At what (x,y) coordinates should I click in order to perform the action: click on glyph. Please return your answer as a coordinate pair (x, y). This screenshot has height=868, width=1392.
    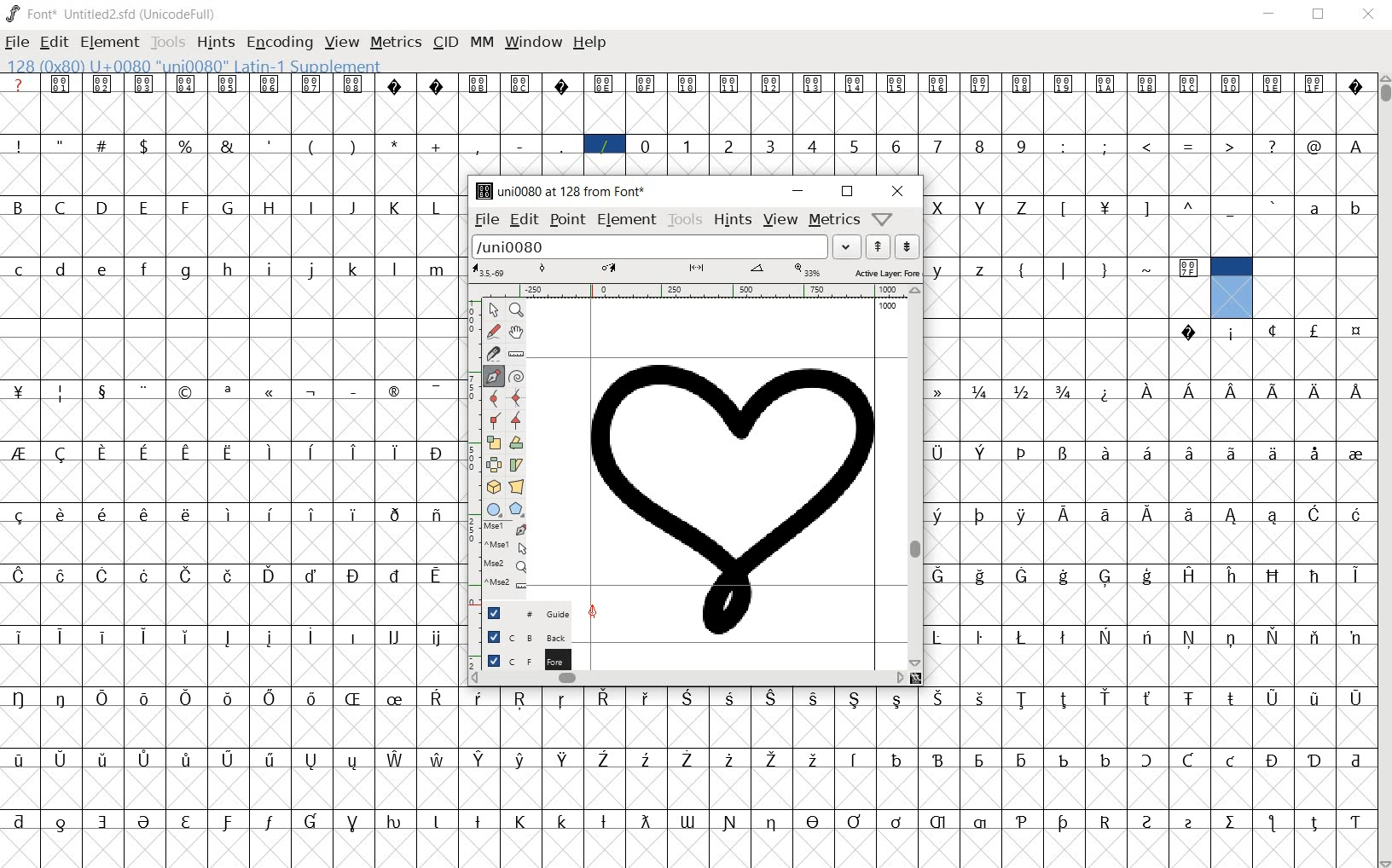
    Looking at the image, I should click on (981, 453).